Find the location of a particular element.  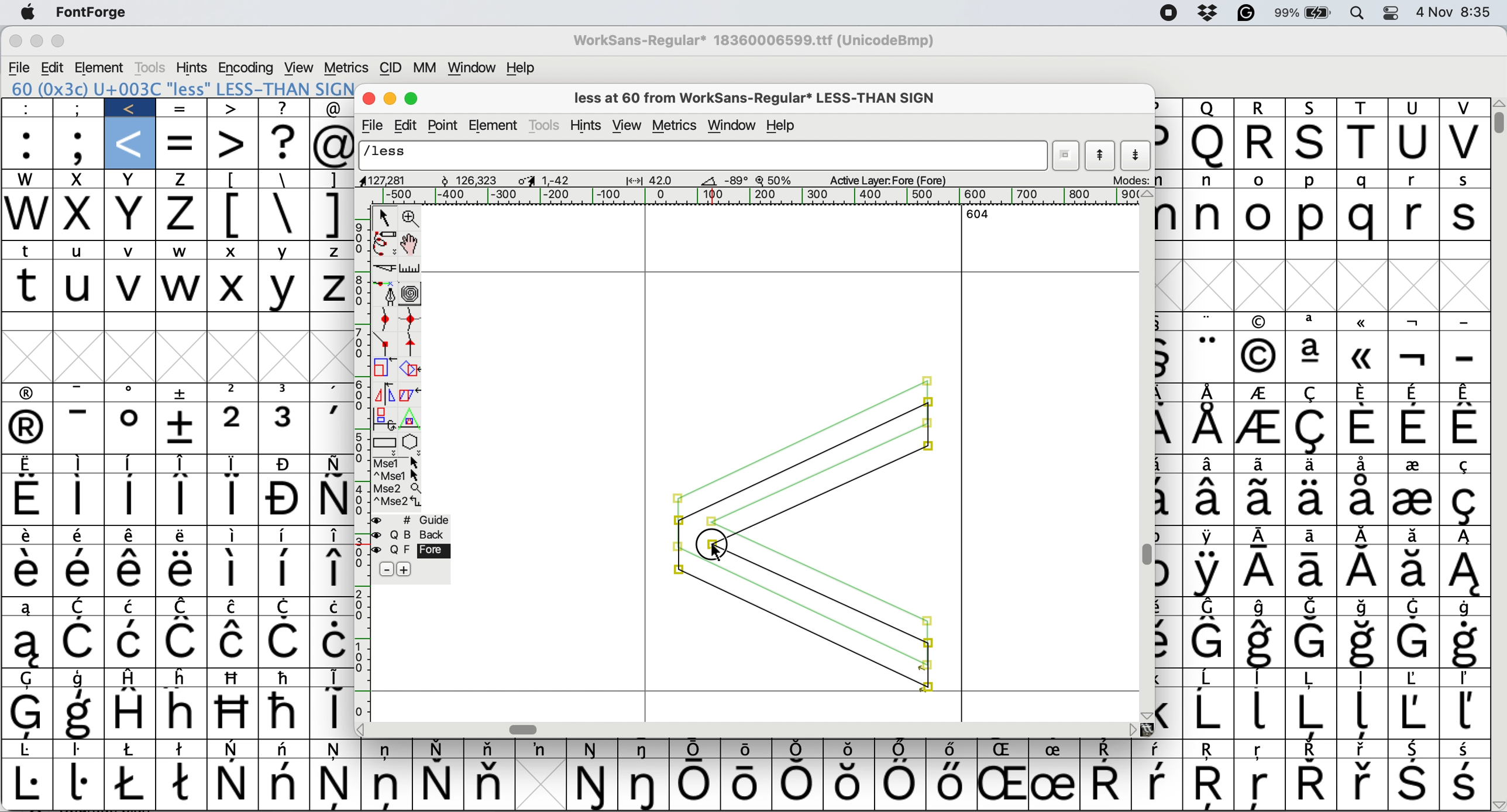

Symbol is located at coordinates (1259, 679).